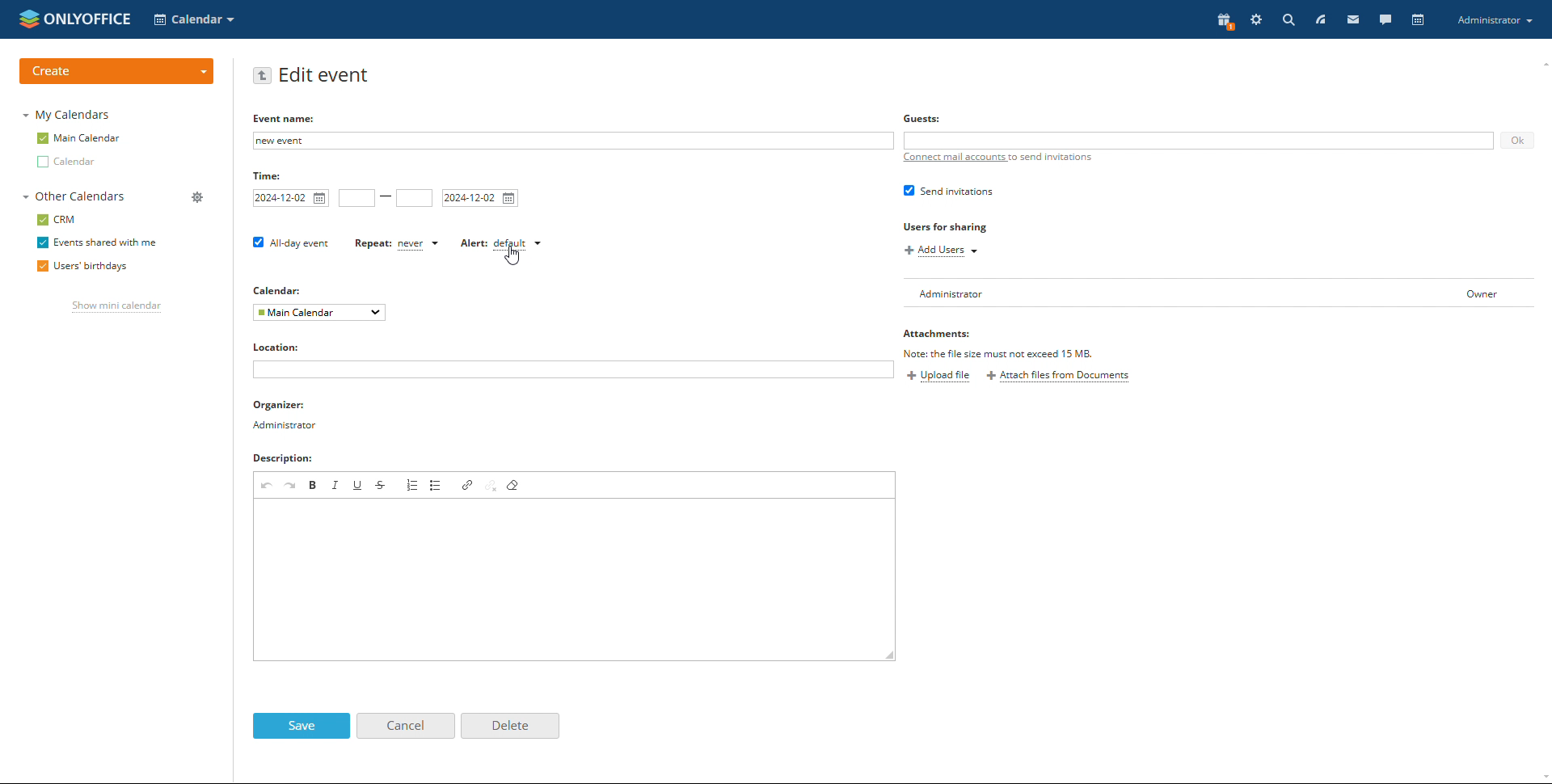  Describe the element at coordinates (291, 242) in the screenshot. I see `all day event checkbox` at that location.